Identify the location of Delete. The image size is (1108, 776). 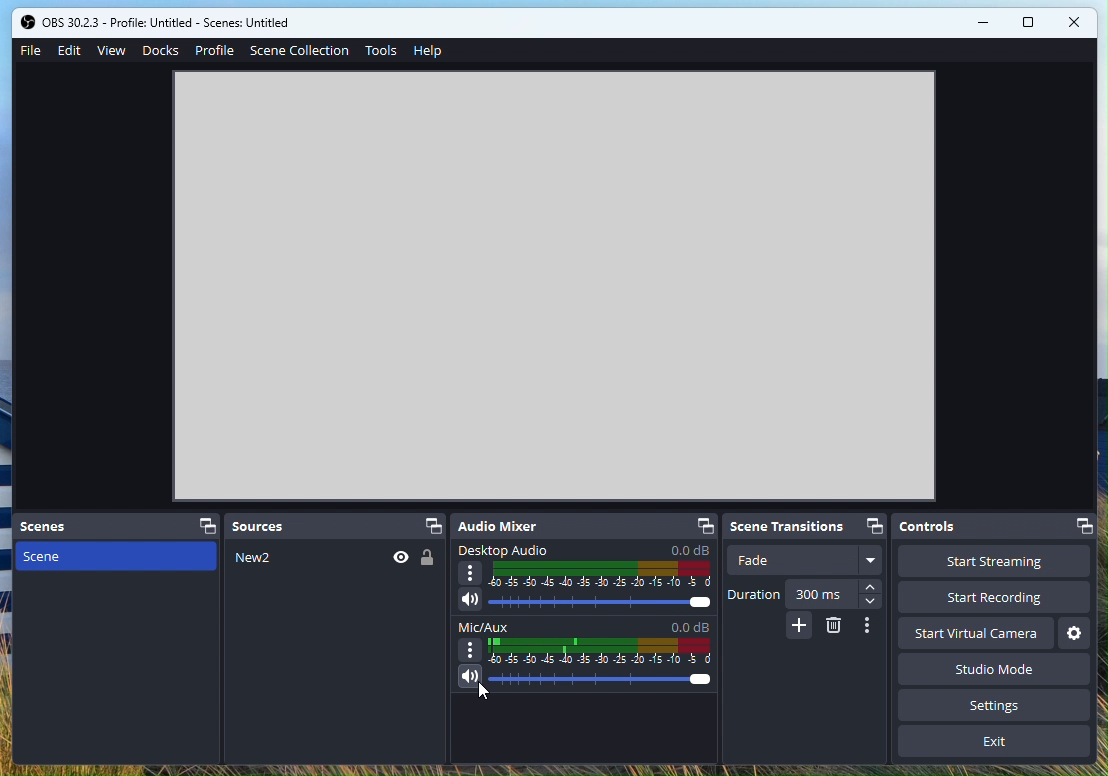
(834, 626).